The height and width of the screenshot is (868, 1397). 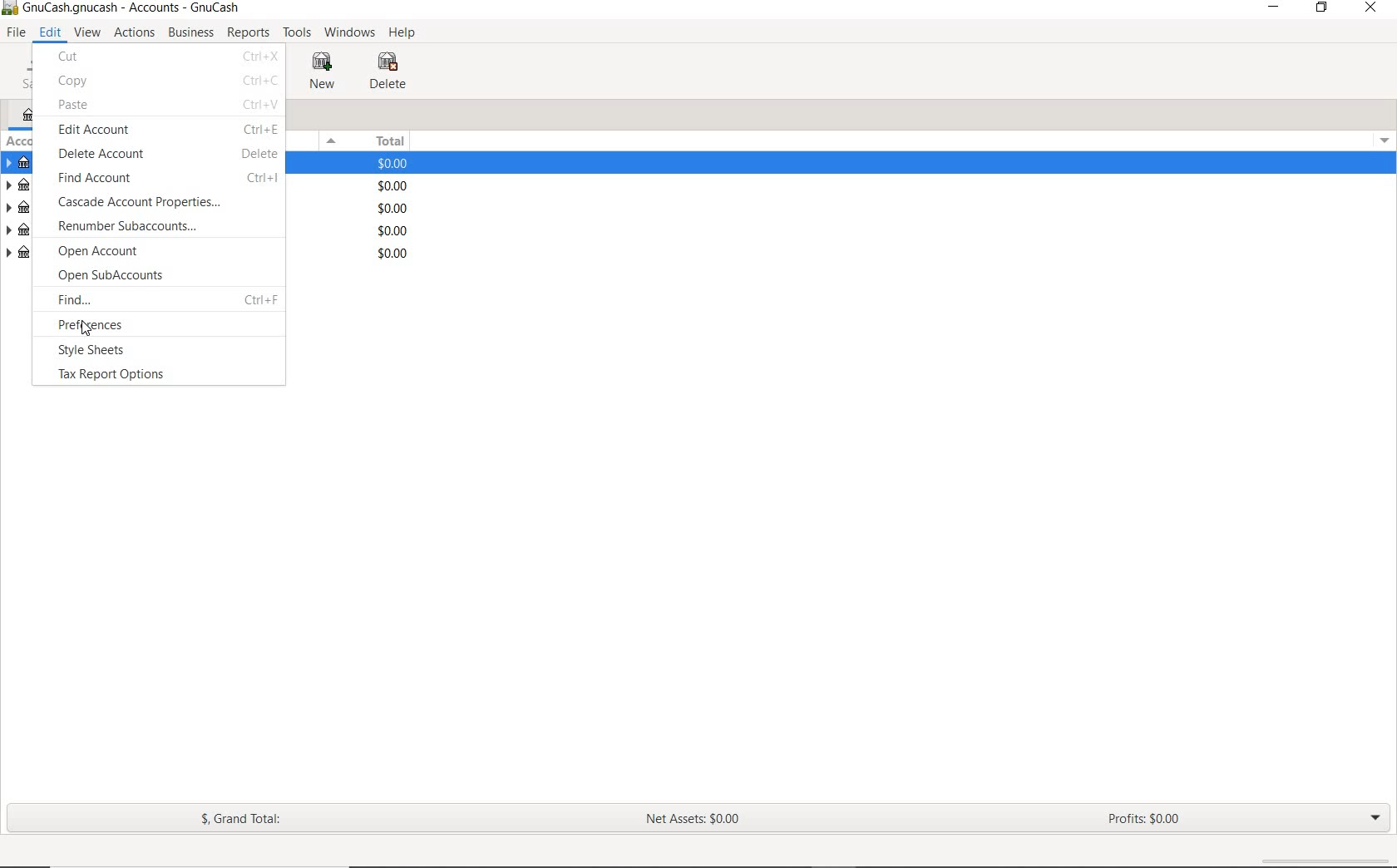 What do you see at coordinates (166, 81) in the screenshot?
I see `COPY` at bounding box center [166, 81].